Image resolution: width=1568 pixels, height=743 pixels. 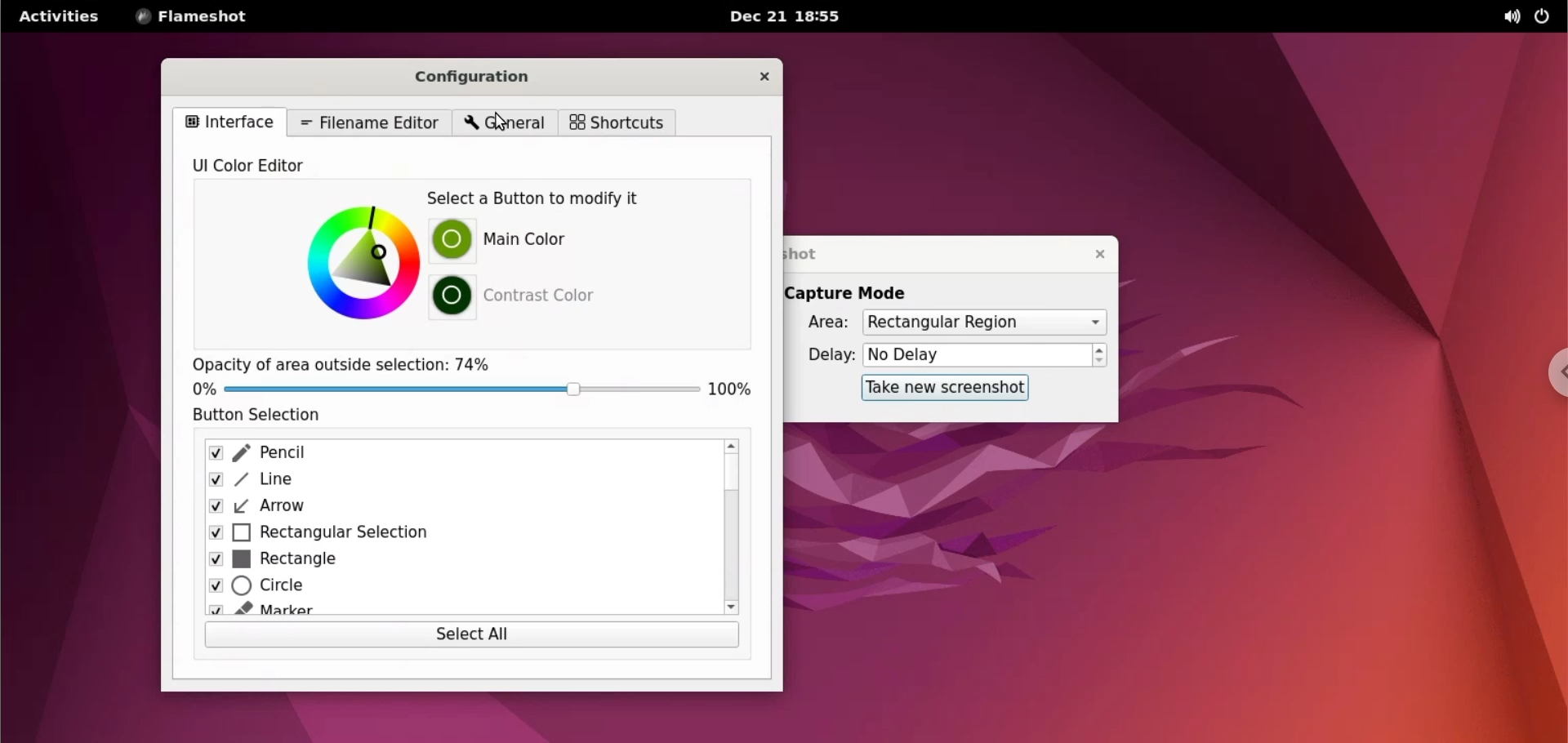 What do you see at coordinates (447, 590) in the screenshot?
I see `circle` at bounding box center [447, 590].